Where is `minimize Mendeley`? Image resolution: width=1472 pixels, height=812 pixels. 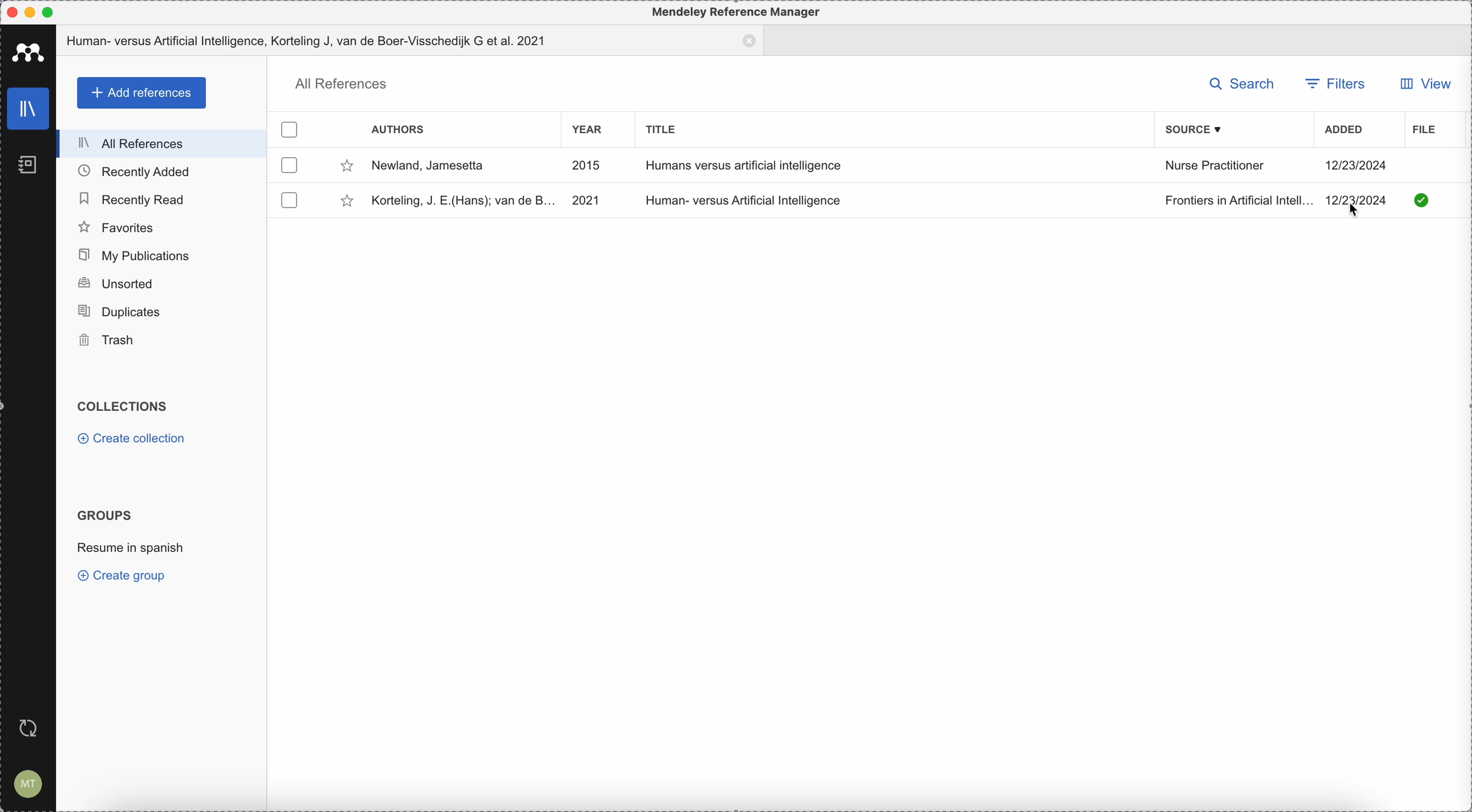 minimize Mendeley is located at coordinates (33, 11).